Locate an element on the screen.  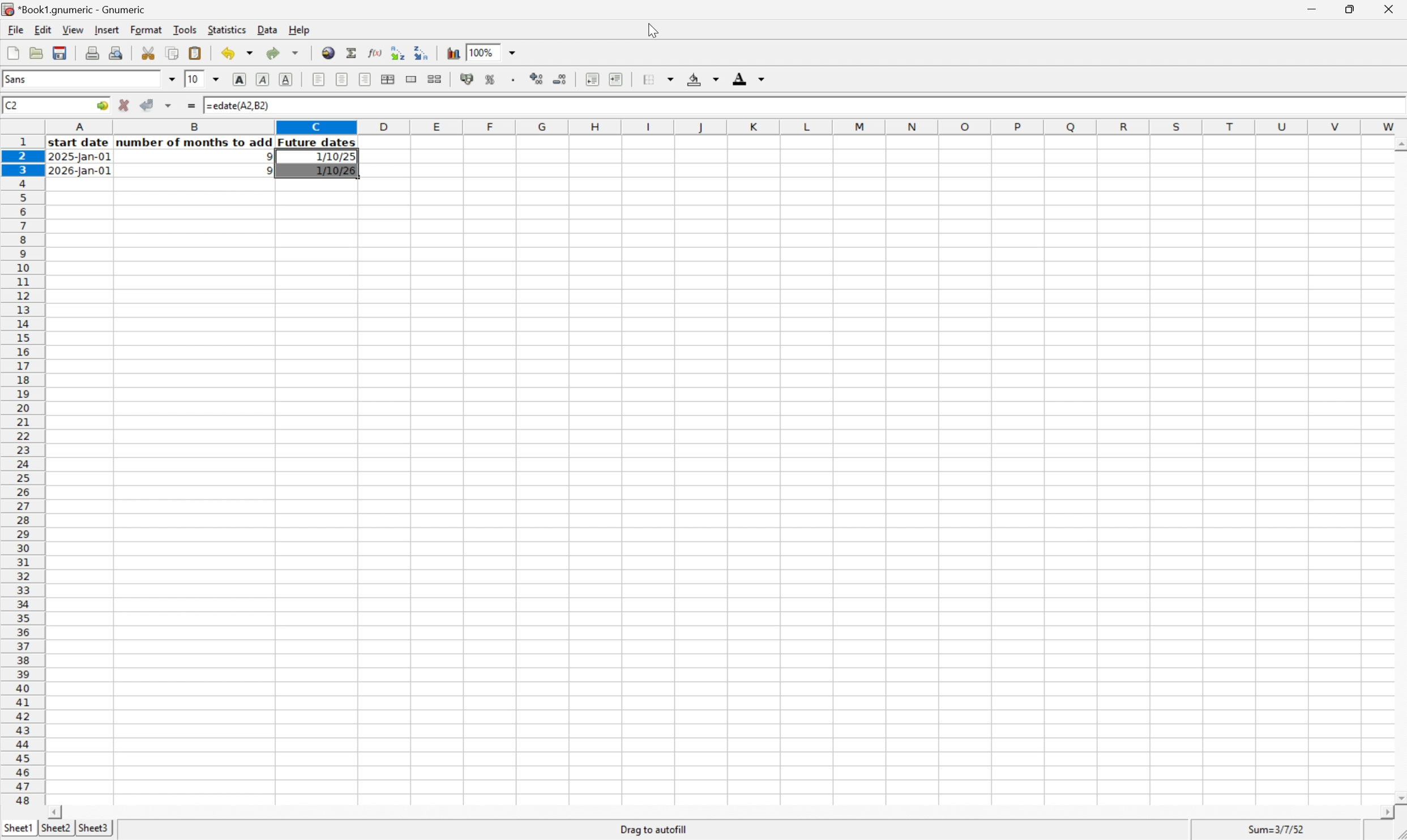
Statistics is located at coordinates (227, 28).